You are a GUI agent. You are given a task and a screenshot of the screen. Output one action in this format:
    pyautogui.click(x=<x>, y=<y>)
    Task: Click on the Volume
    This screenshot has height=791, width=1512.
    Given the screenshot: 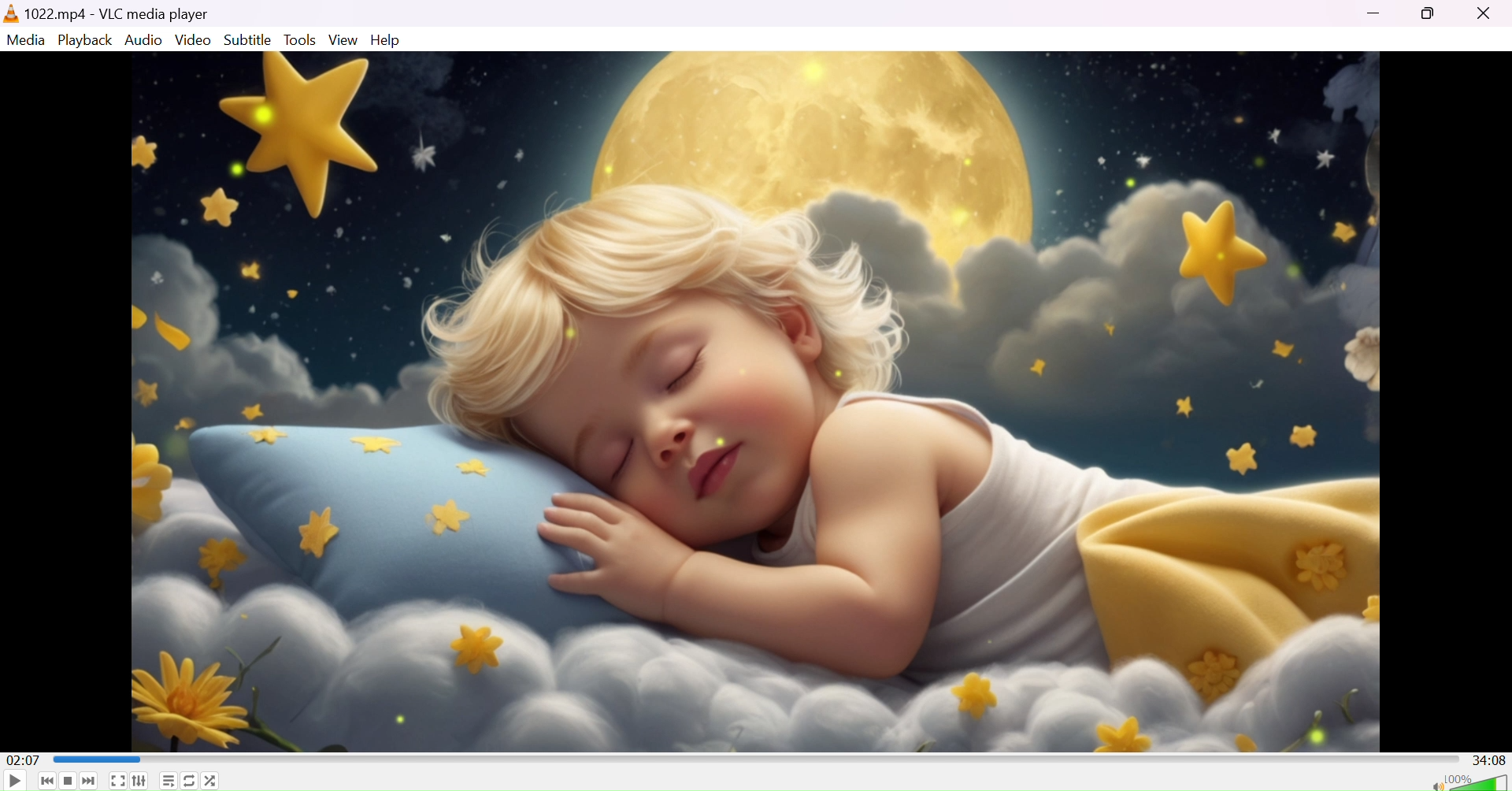 What is the action you would take?
    pyautogui.click(x=1477, y=780)
    